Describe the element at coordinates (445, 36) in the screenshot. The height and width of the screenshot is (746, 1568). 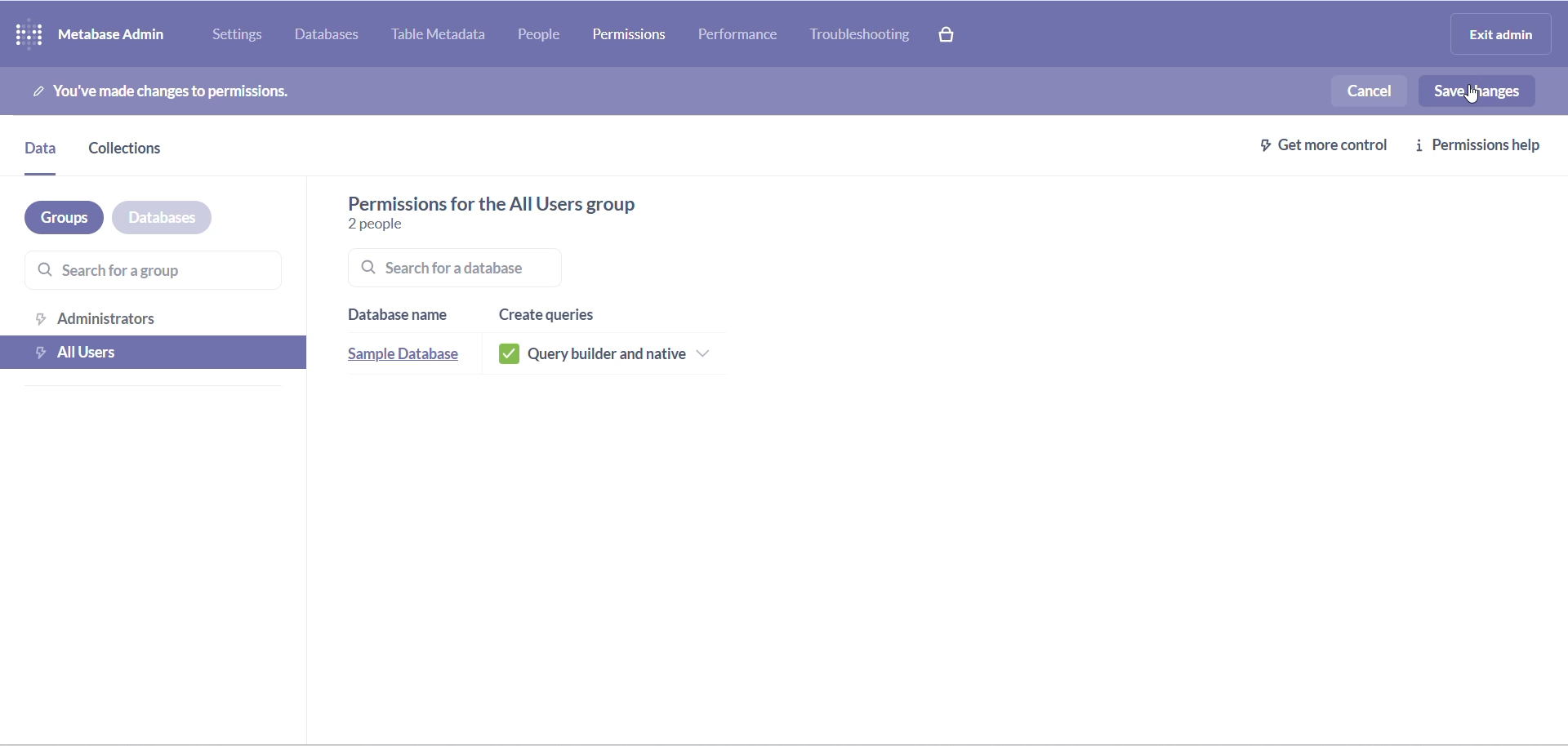
I see `table metadata` at that location.